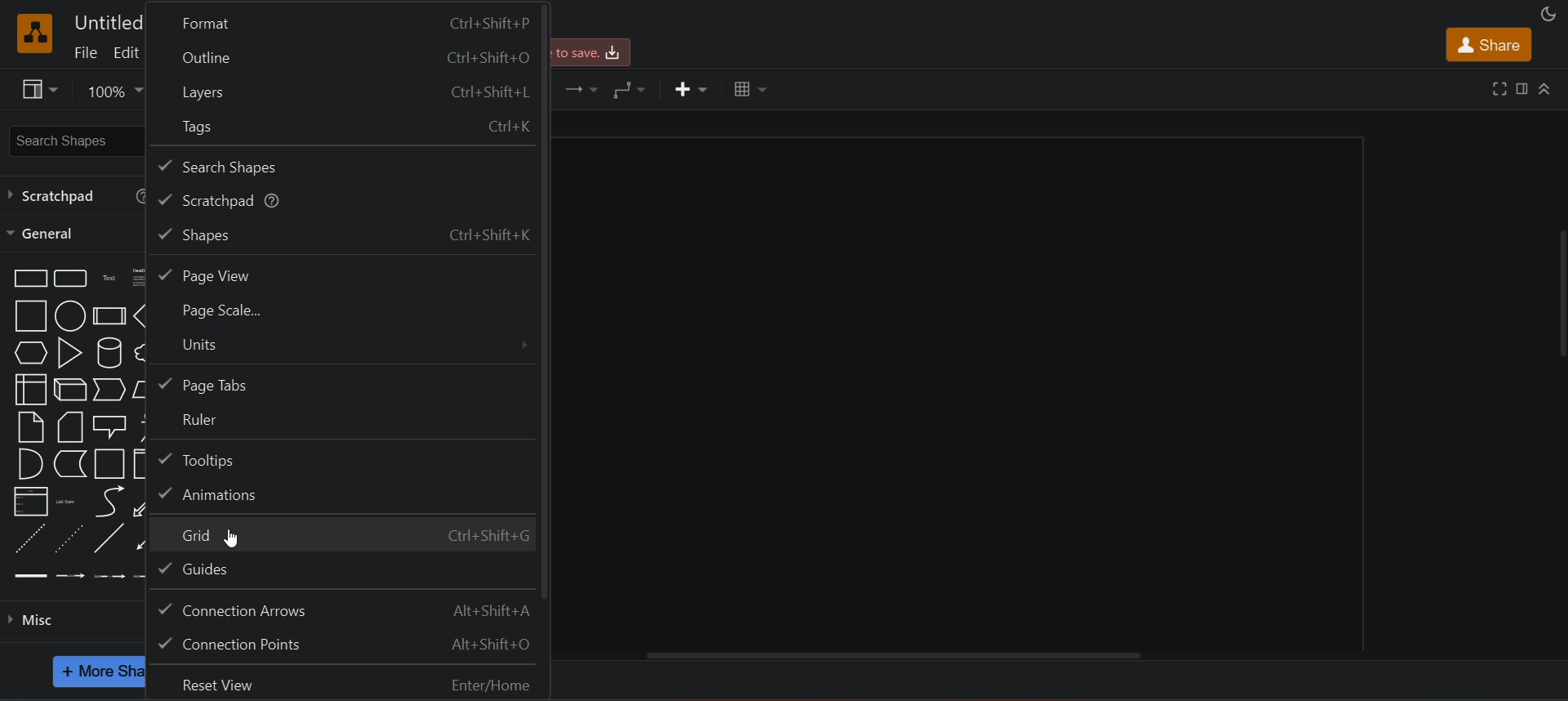 Image resolution: width=1568 pixels, height=701 pixels. What do you see at coordinates (109, 277) in the screenshot?
I see `text` at bounding box center [109, 277].